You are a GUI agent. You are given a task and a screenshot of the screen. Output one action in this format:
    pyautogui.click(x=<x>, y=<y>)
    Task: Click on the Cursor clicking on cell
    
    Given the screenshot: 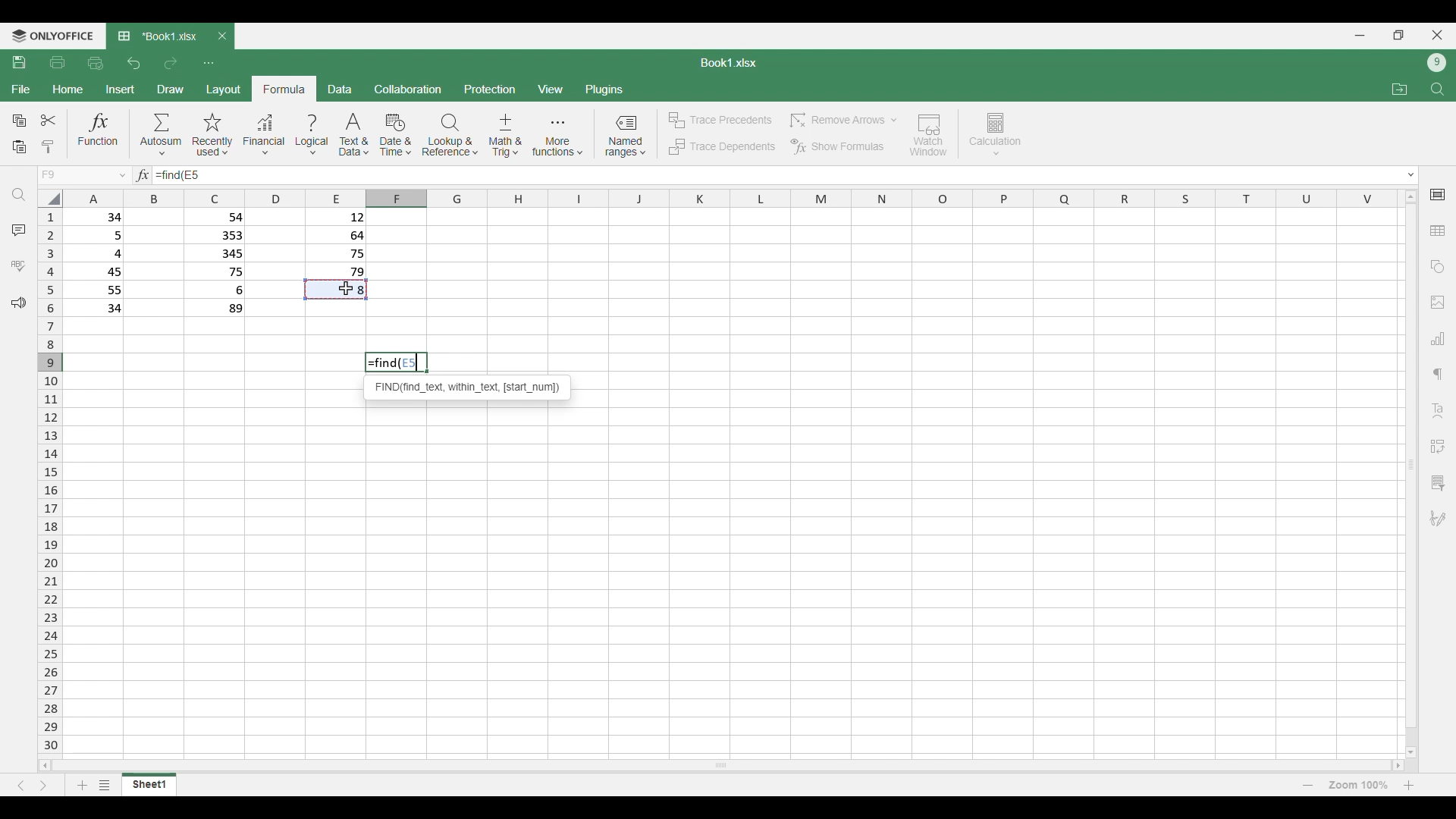 What is the action you would take?
    pyautogui.click(x=347, y=288)
    